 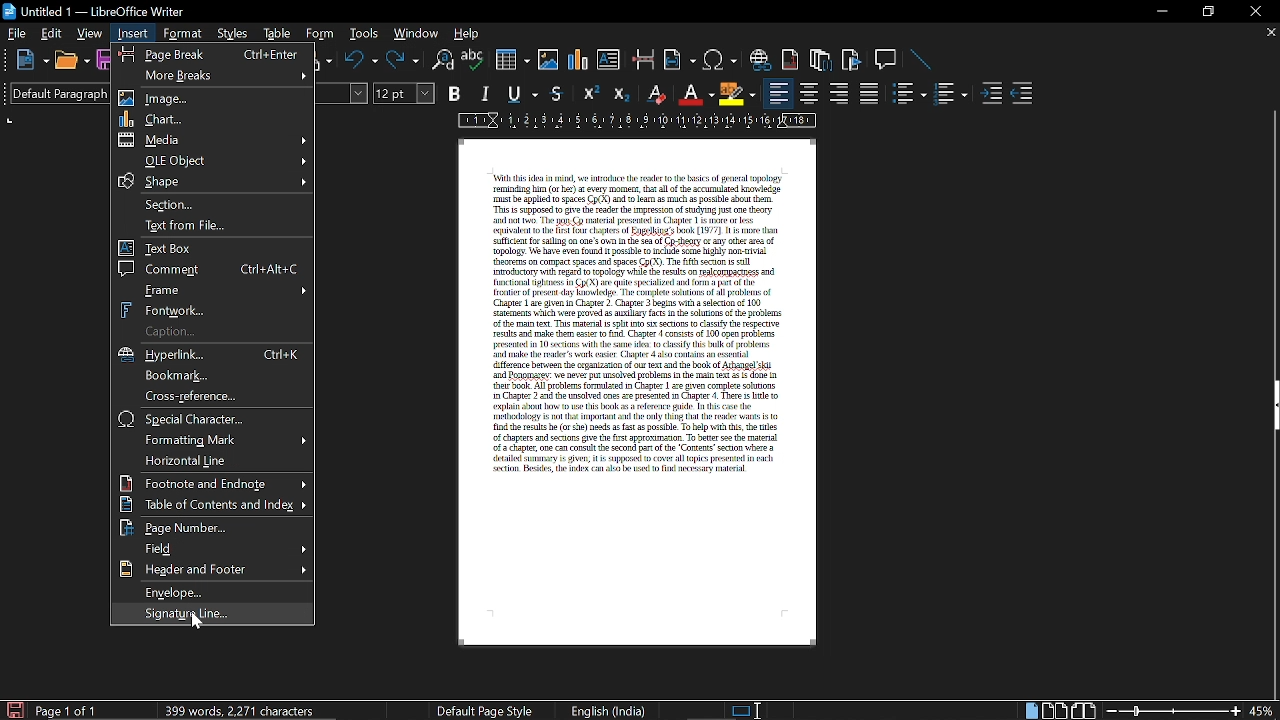 I want to click on window, so click(x=416, y=34).